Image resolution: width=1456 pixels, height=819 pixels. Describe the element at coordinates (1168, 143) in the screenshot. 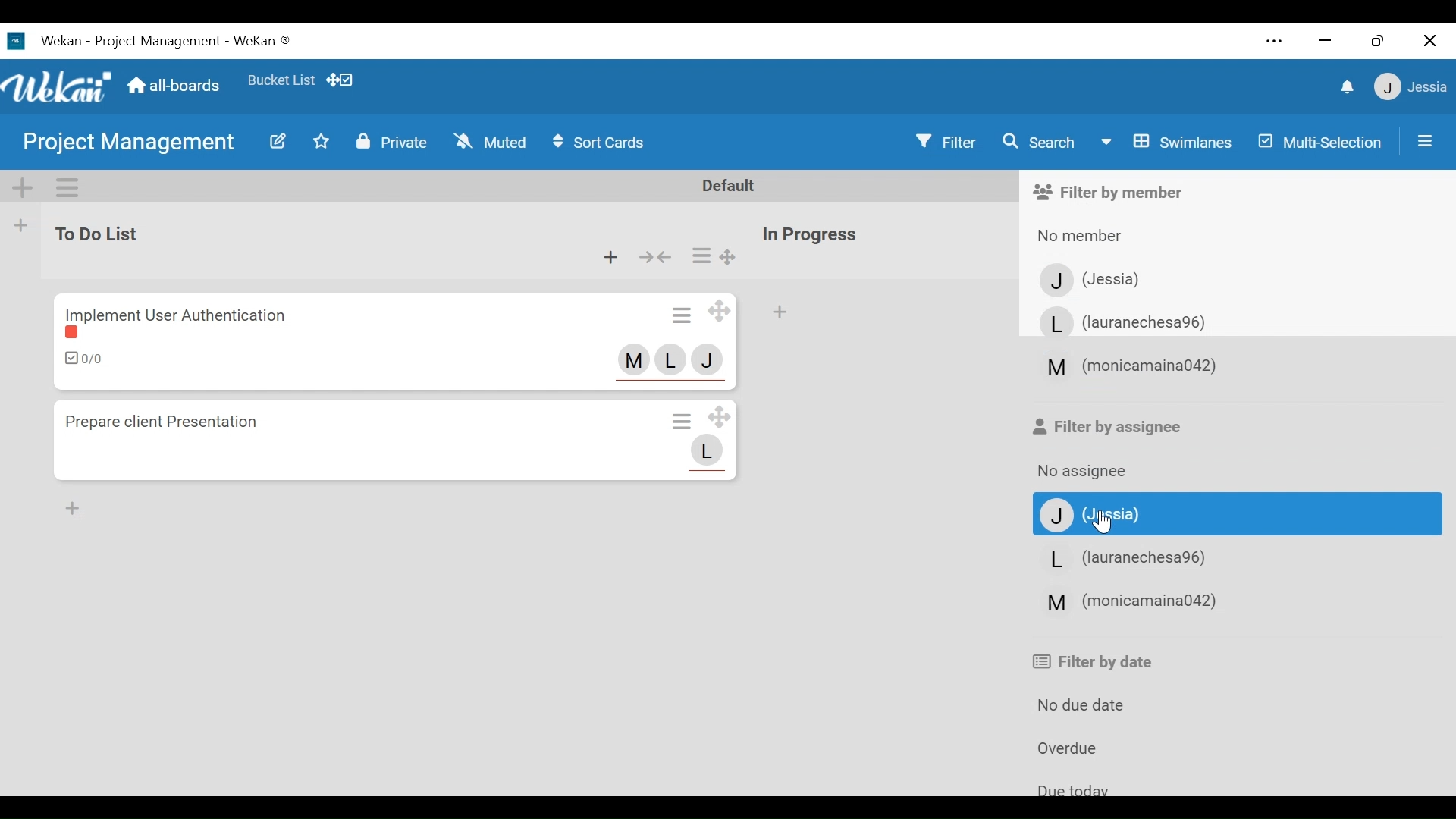

I see `Board View swimlanes` at that location.